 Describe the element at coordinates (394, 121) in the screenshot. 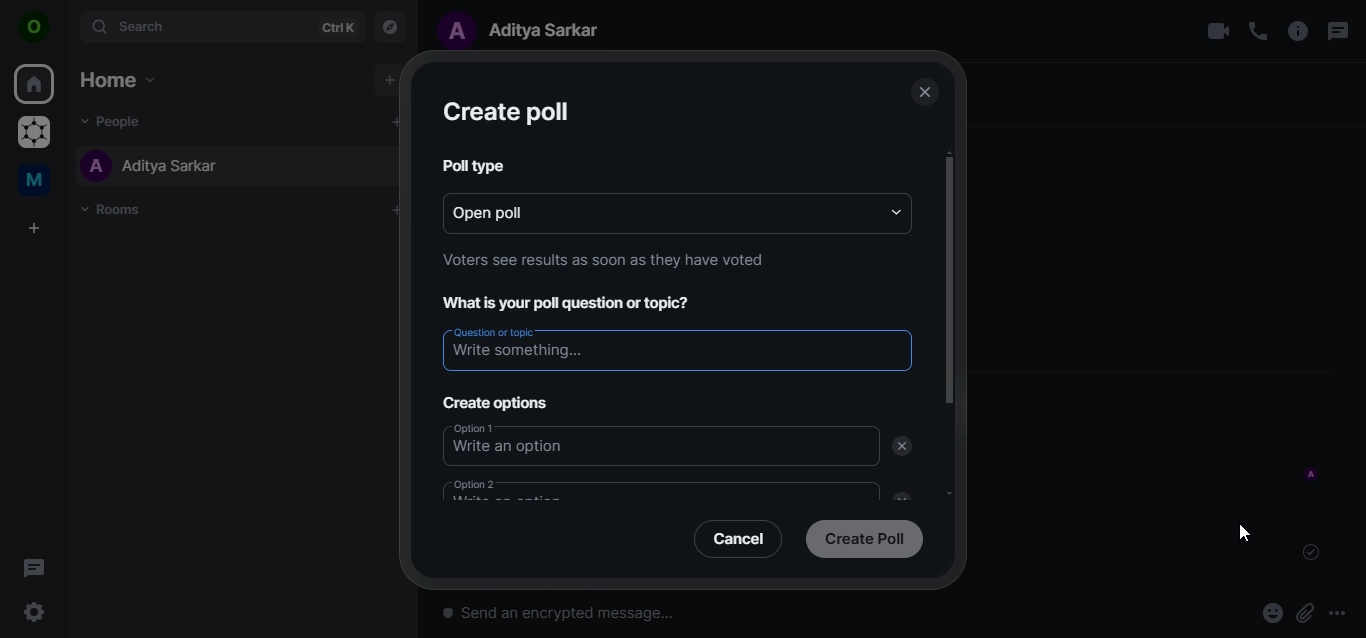

I see `add` at that location.